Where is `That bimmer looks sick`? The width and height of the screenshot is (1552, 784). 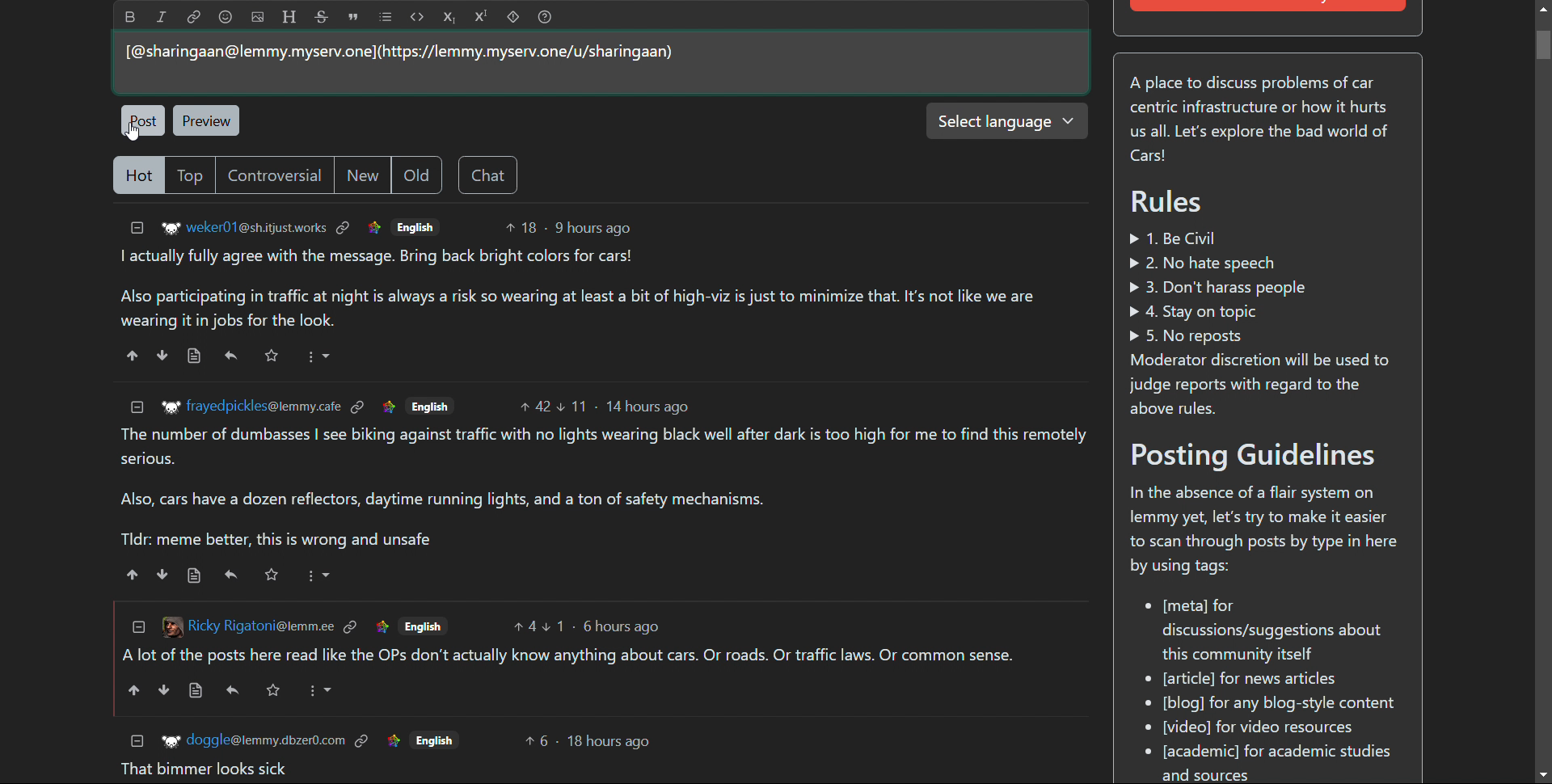 That bimmer looks sick is located at coordinates (204, 769).